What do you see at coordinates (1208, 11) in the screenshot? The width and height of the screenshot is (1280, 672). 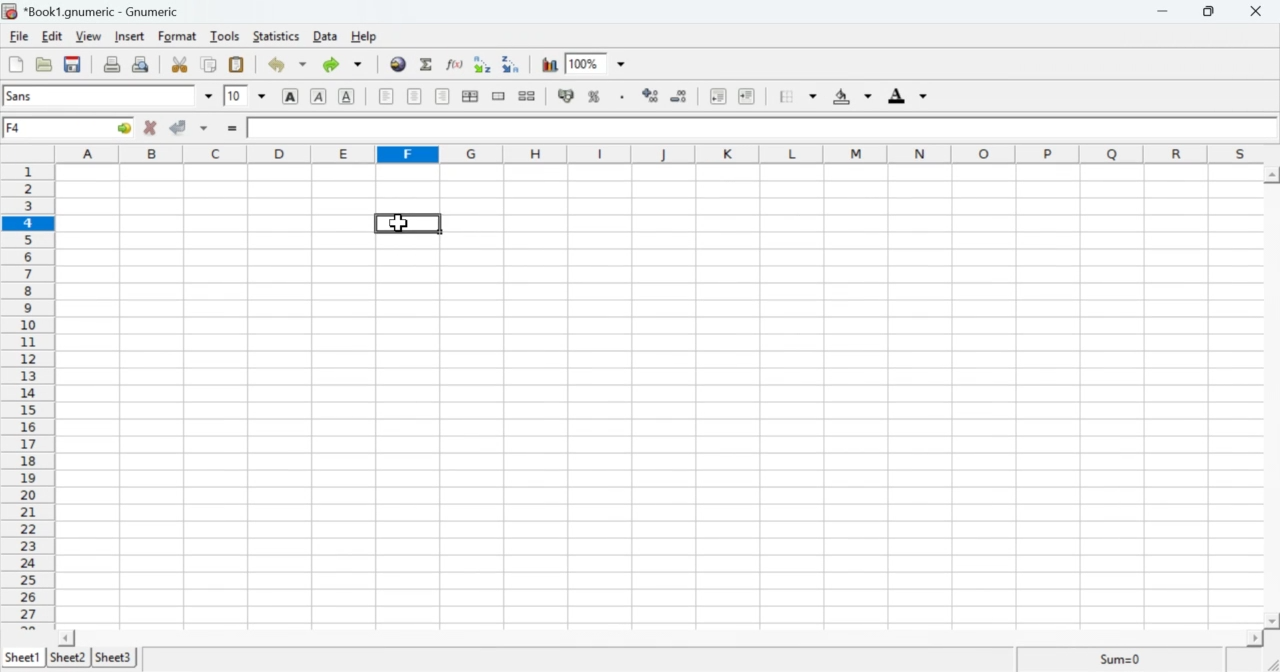 I see `Minimise` at bounding box center [1208, 11].